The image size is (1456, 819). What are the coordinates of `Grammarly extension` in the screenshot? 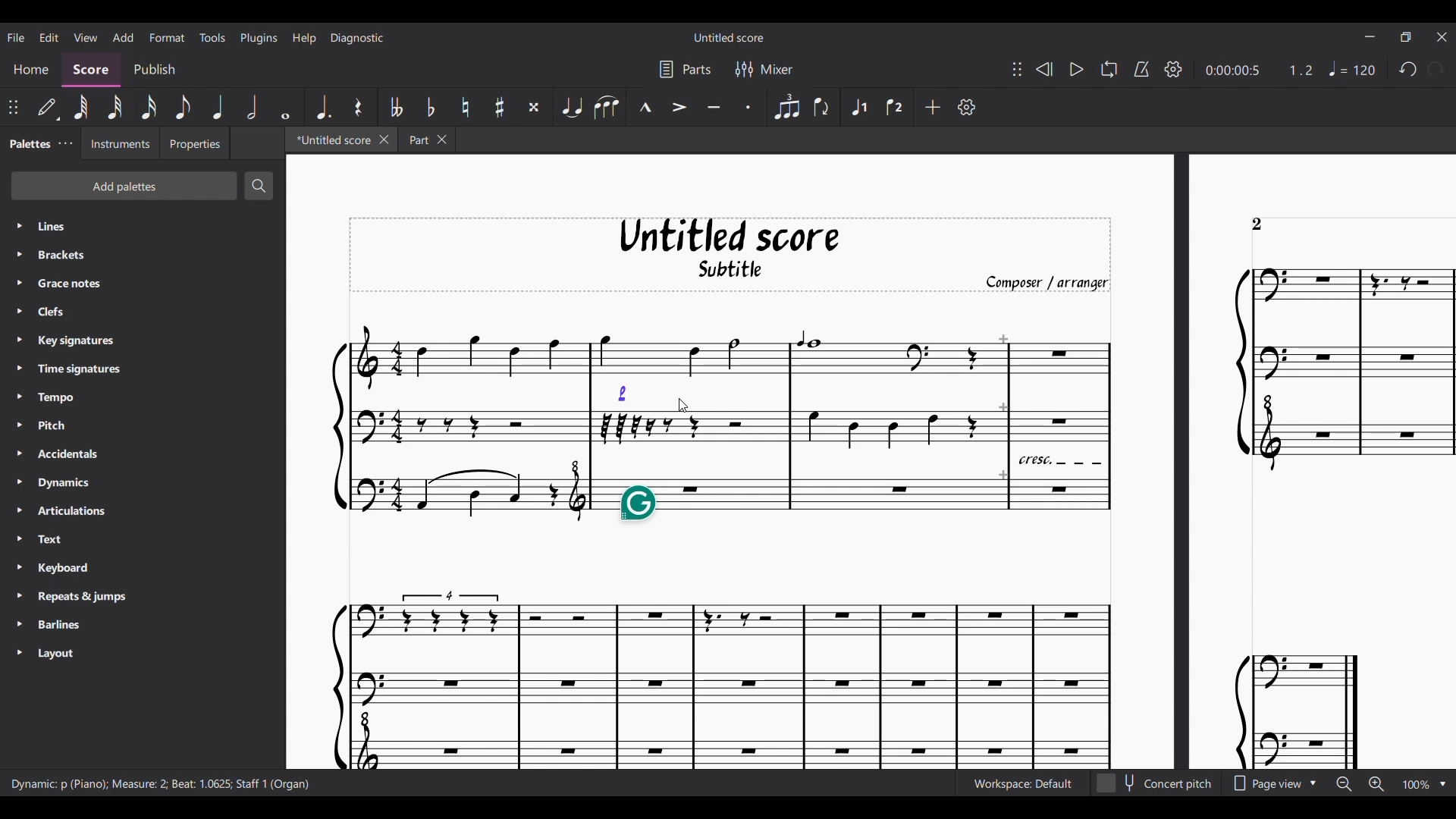 It's located at (638, 504).